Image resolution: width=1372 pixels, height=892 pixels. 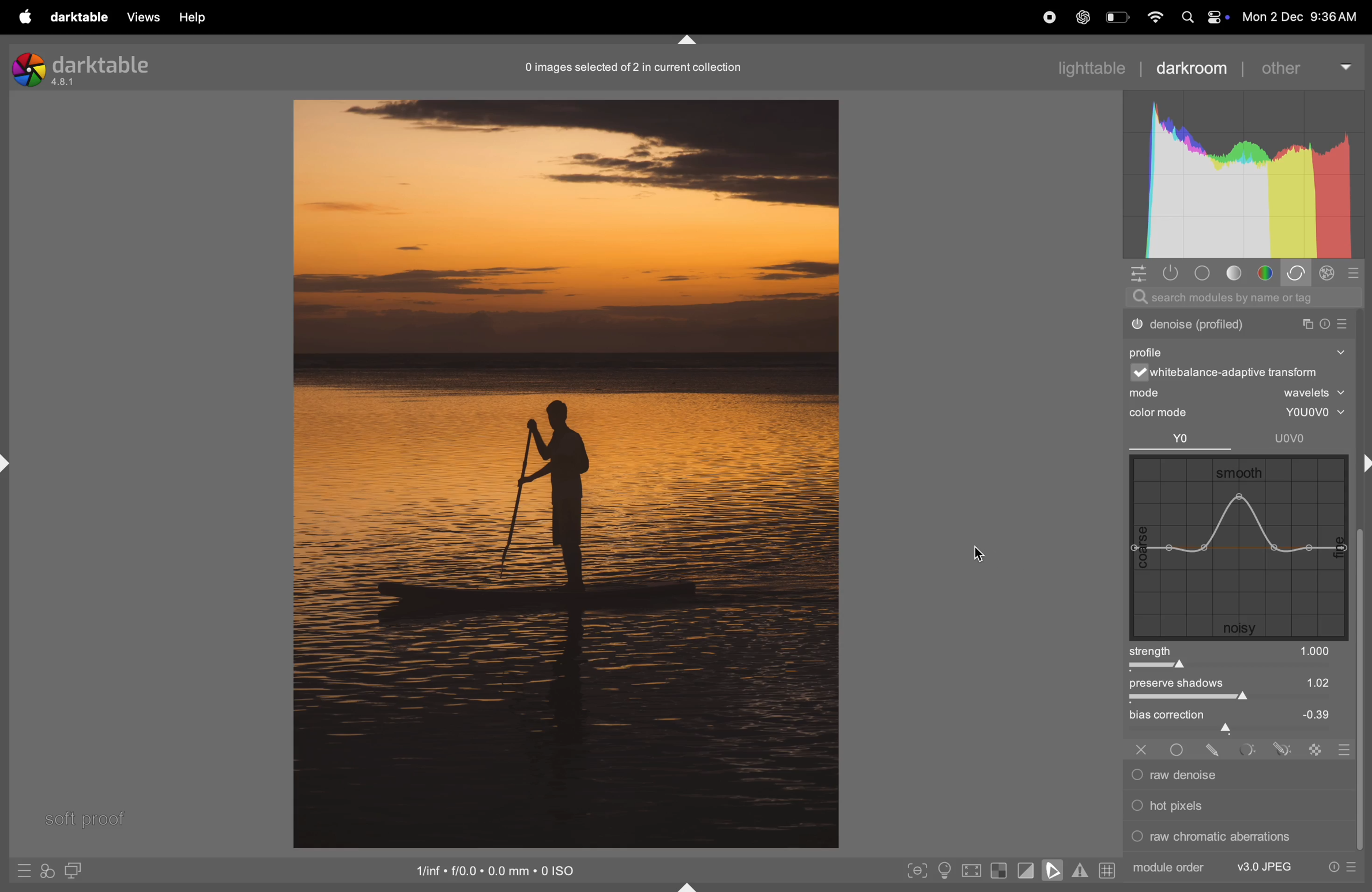 What do you see at coordinates (1232, 775) in the screenshot?
I see `raw denoise` at bounding box center [1232, 775].